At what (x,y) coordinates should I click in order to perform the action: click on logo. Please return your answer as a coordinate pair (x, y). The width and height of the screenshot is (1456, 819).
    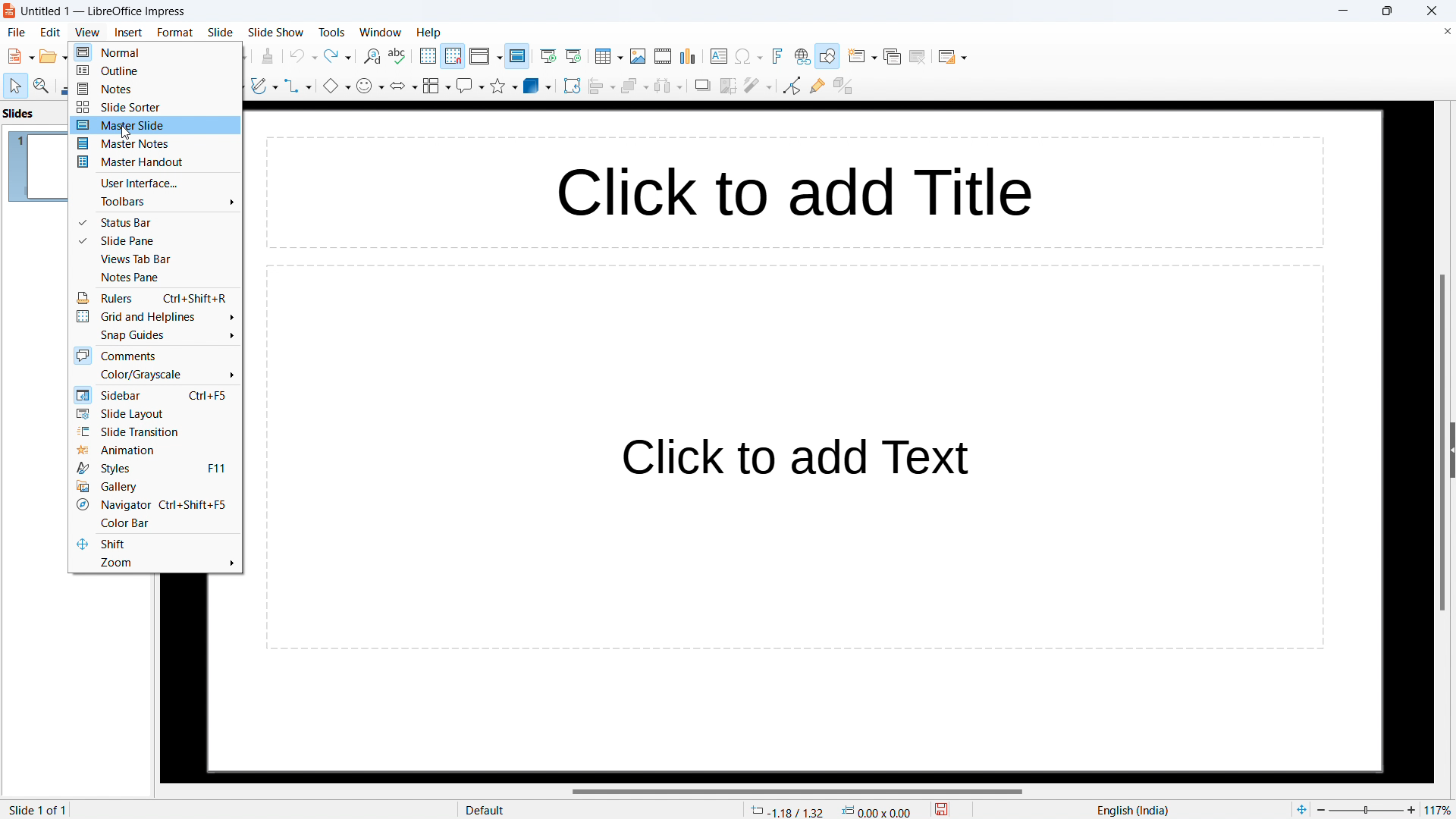
    Looking at the image, I should click on (10, 11).